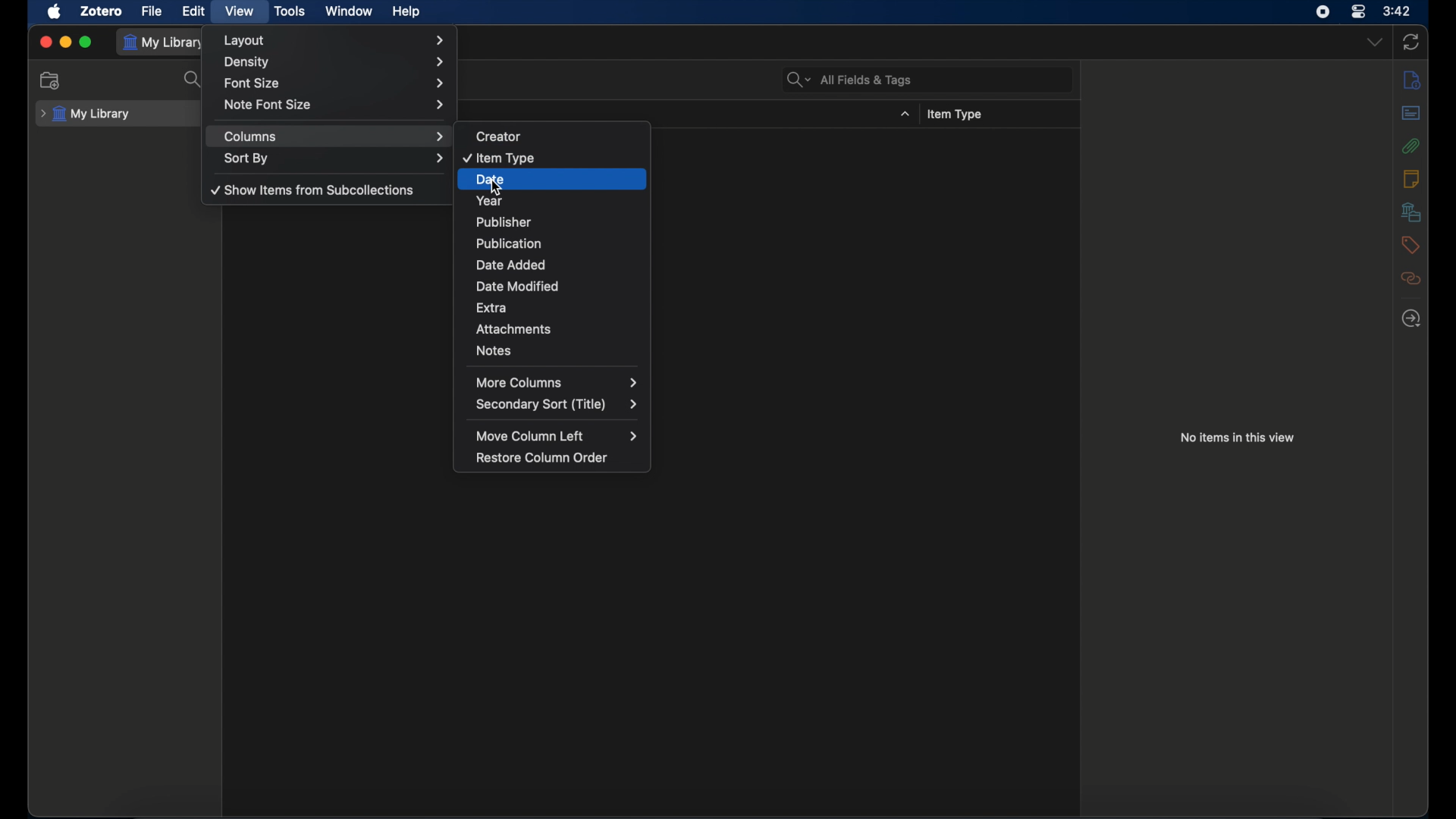  Describe the element at coordinates (559, 178) in the screenshot. I see `date` at that location.